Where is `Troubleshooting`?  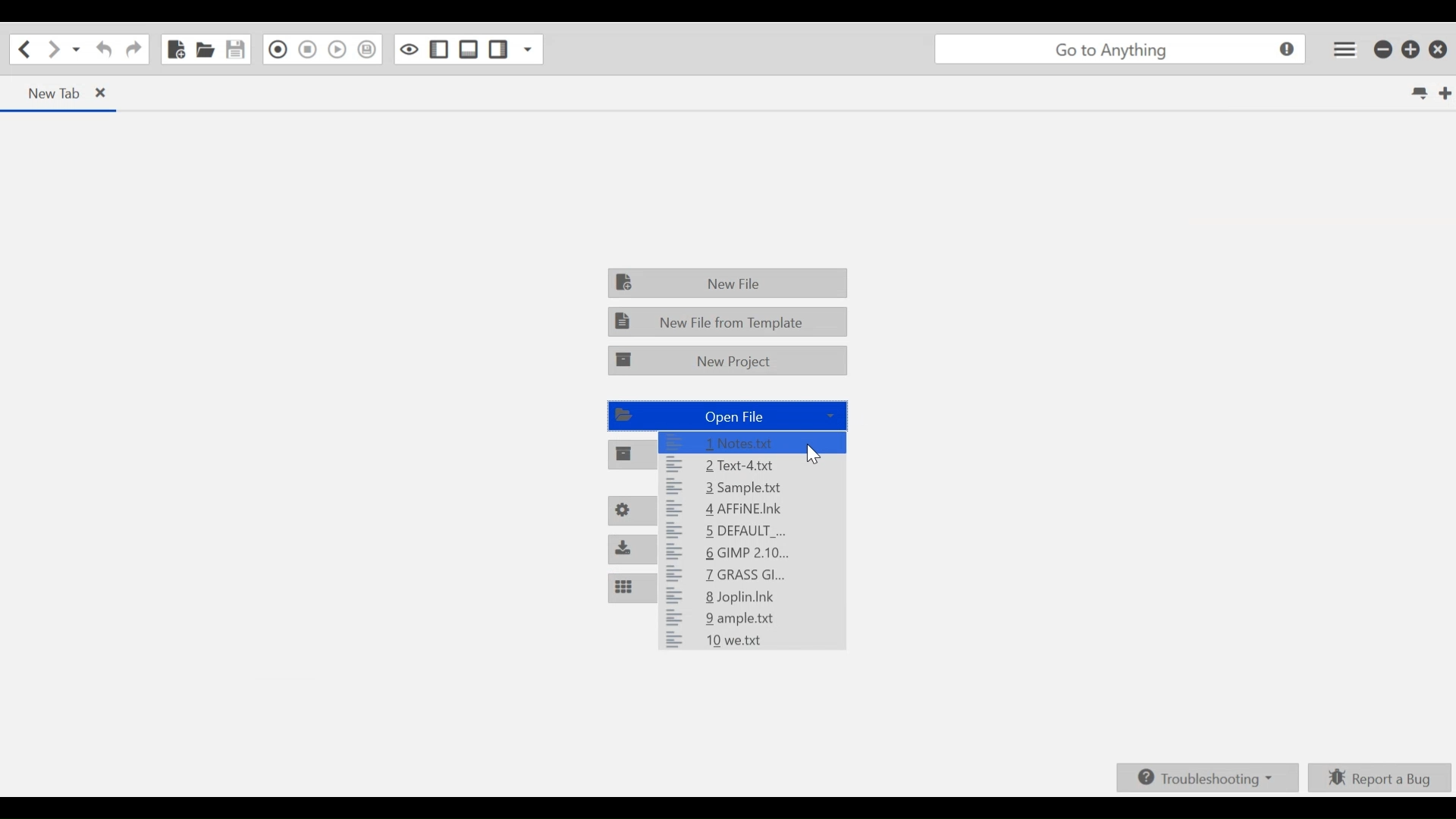
Troubleshooting is located at coordinates (1208, 778).